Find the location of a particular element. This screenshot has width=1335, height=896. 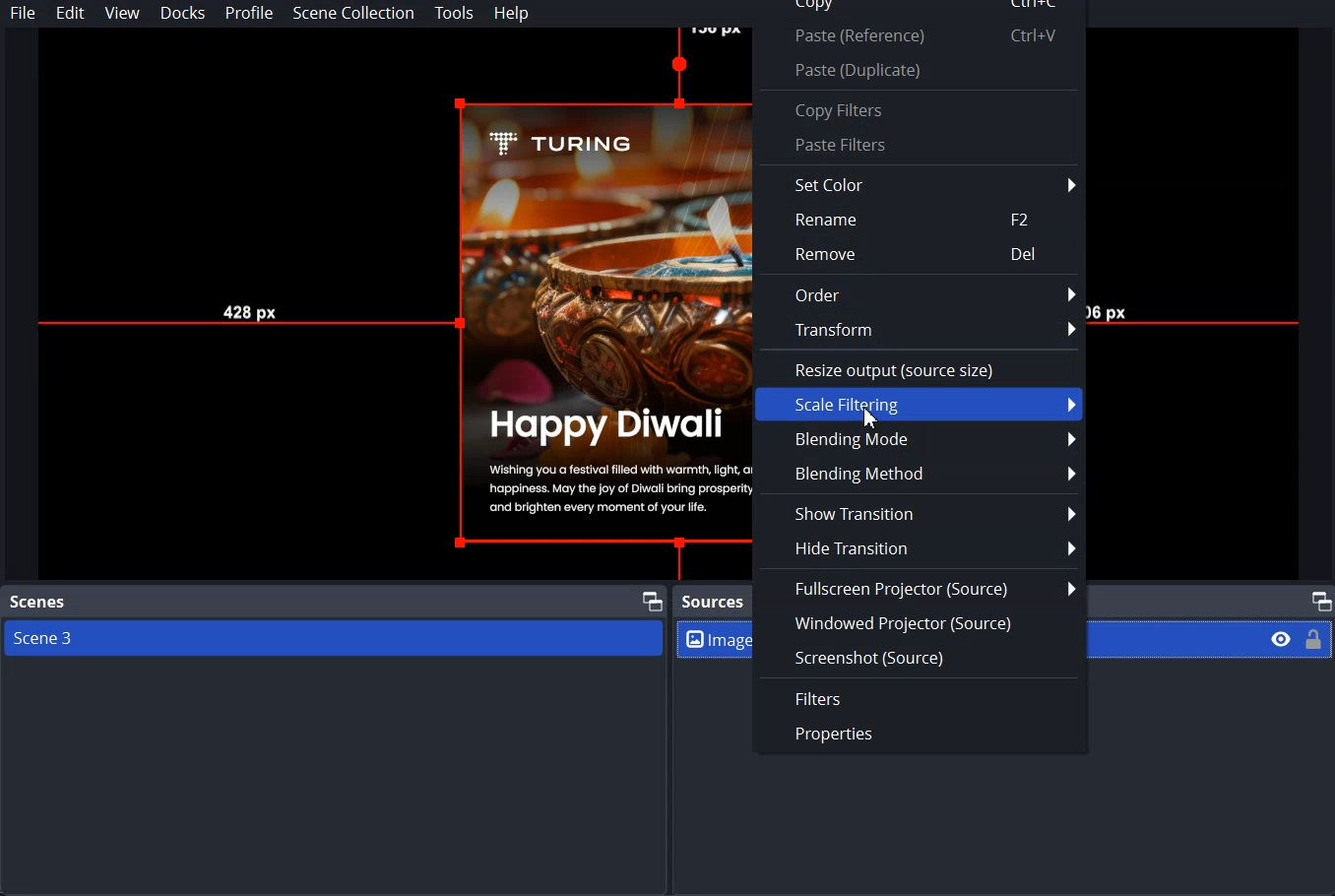

Copy Filters is located at coordinates (919, 109).